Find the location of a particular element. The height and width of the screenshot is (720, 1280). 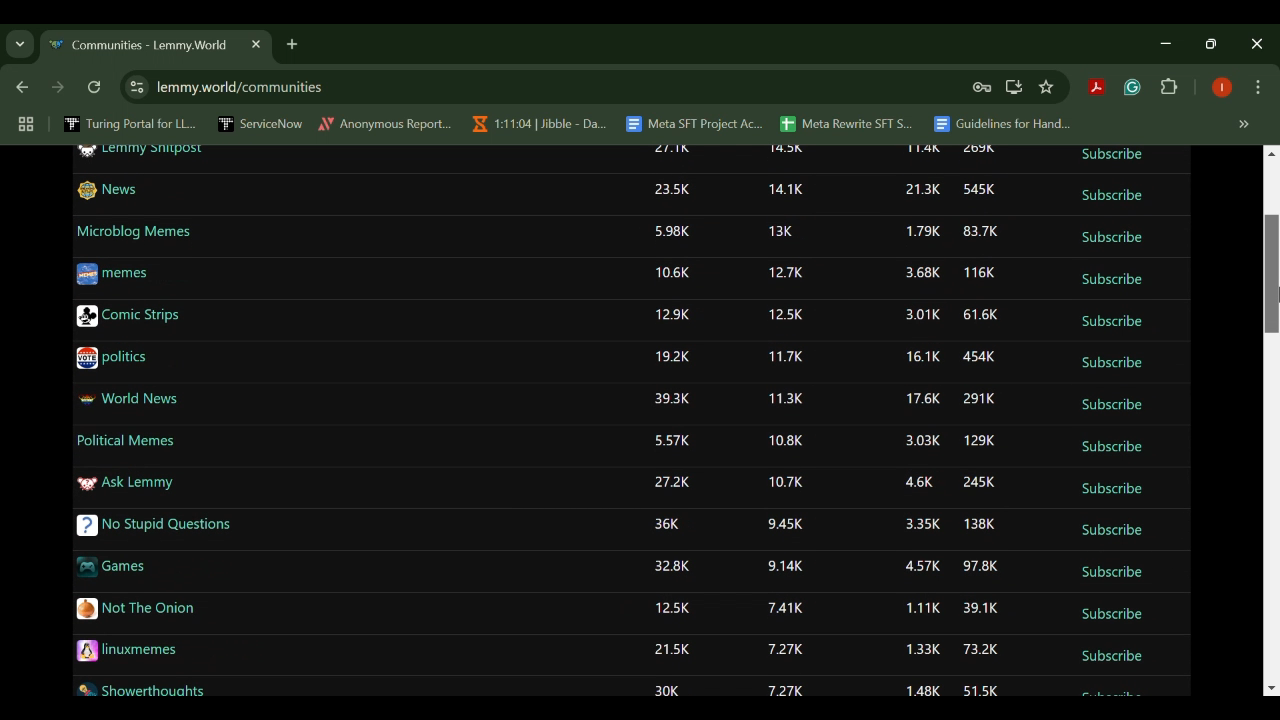

4.57K is located at coordinates (924, 567).